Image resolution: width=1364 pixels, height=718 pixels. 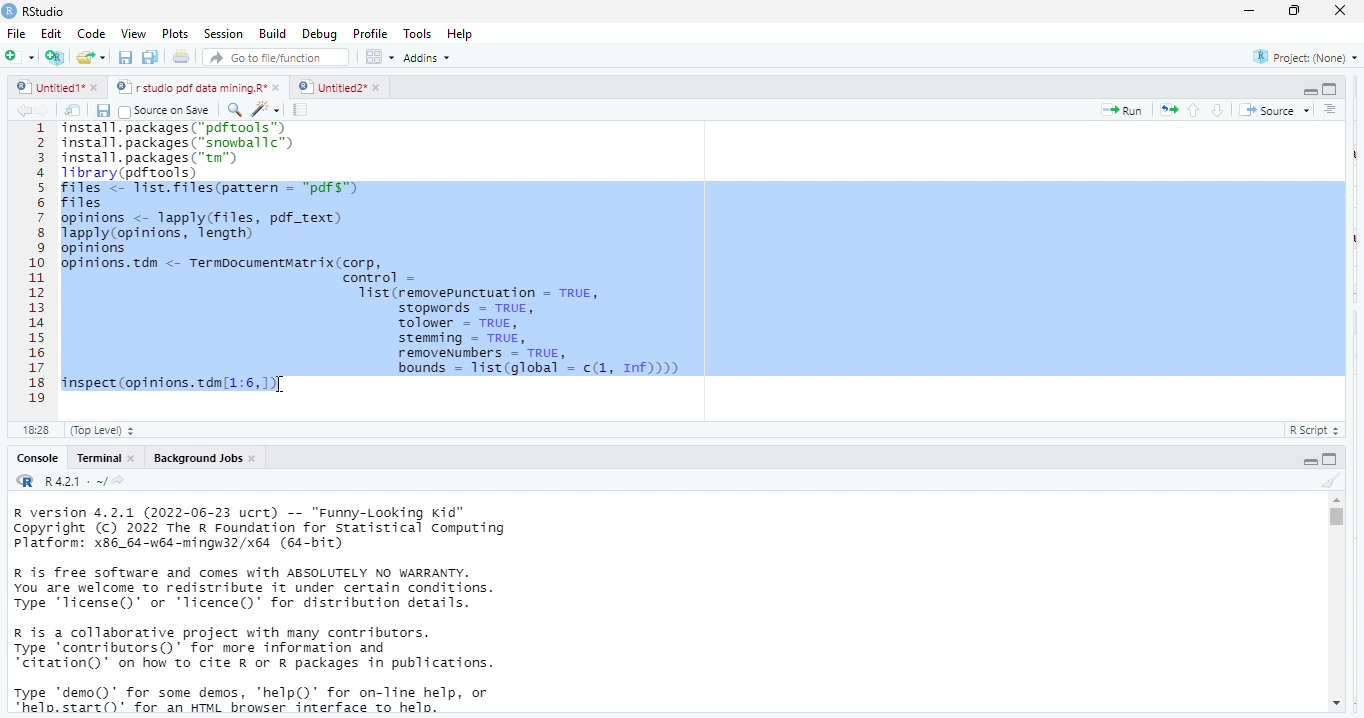 What do you see at coordinates (303, 110) in the screenshot?
I see `compile report` at bounding box center [303, 110].